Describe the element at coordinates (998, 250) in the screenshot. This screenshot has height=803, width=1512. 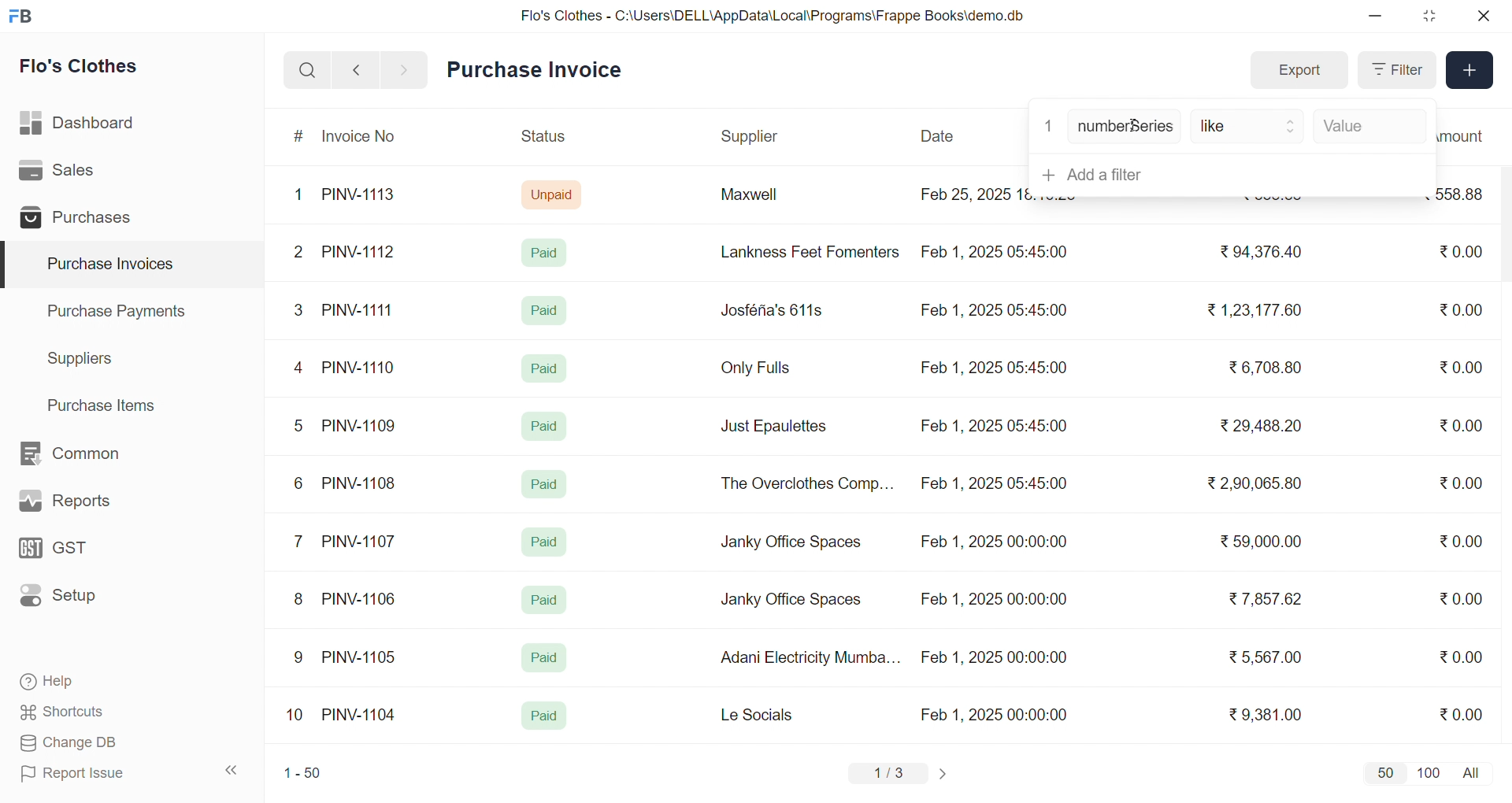
I see `Feb 1, 2025 05:45:00` at that location.